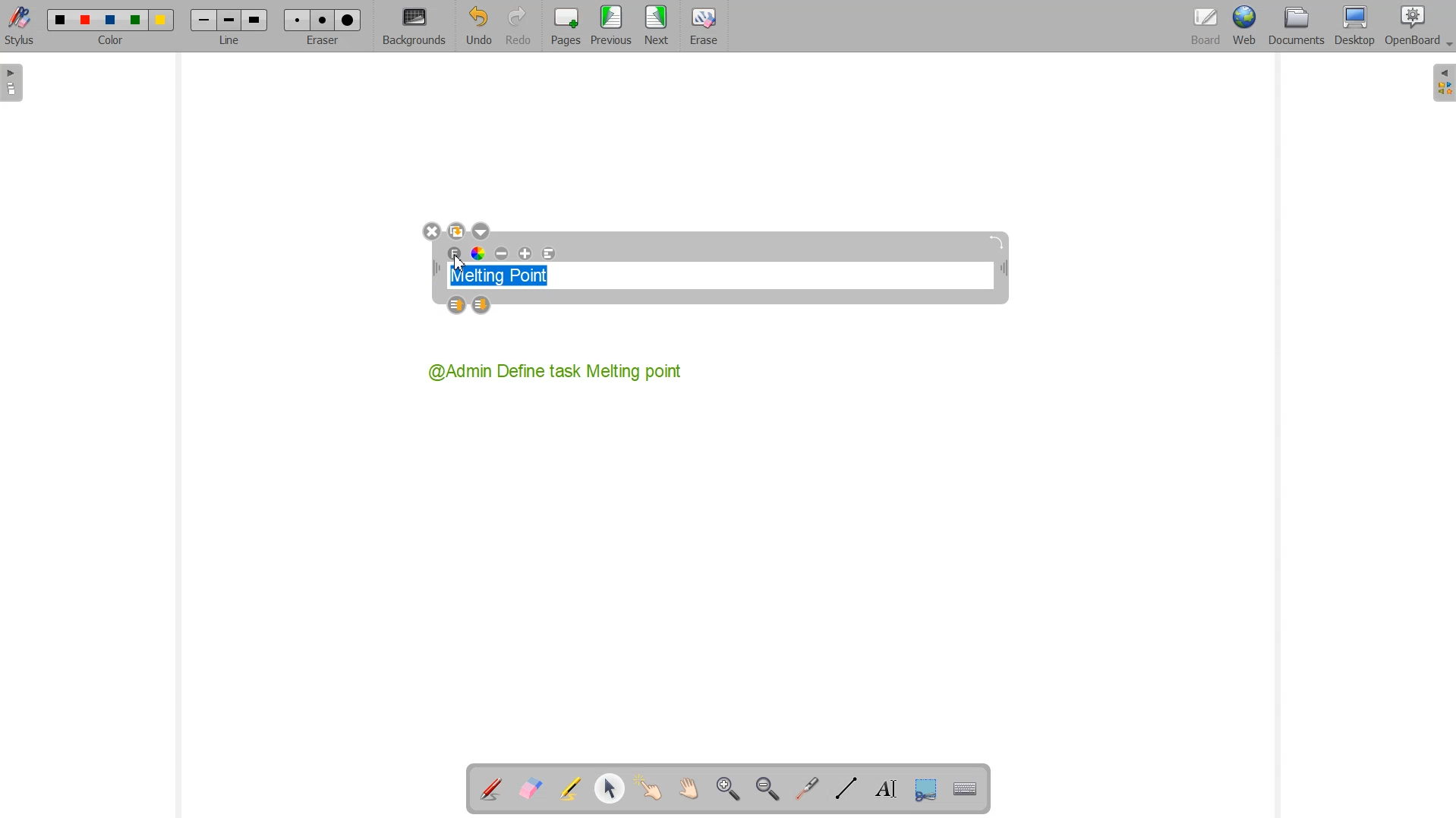  What do you see at coordinates (503, 254) in the screenshot?
I see `Minimize text size` at bounding box center [503, 254].